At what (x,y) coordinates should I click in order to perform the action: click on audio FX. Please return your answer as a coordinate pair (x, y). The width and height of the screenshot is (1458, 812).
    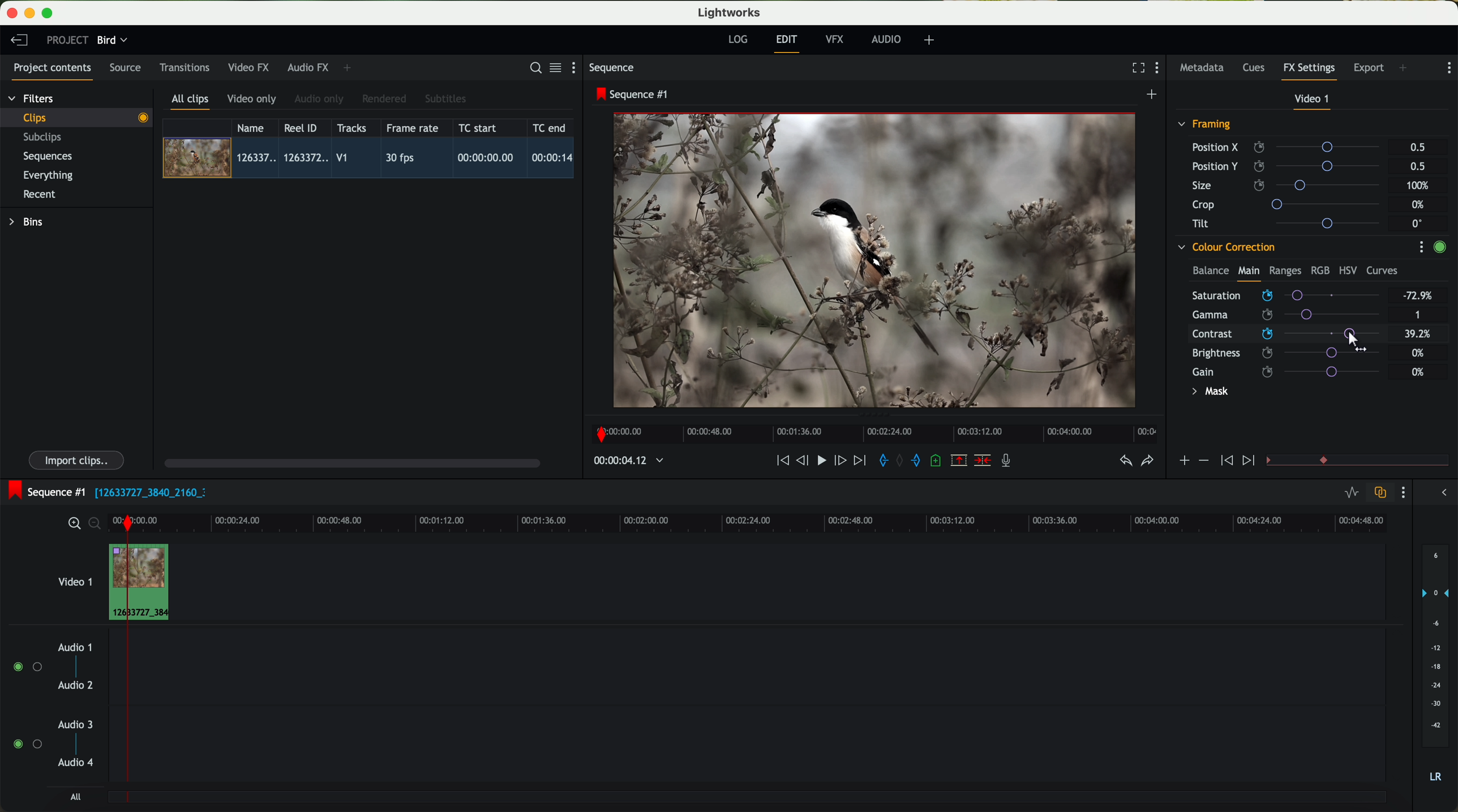
    Looking at the image, I should click on (308, 67).